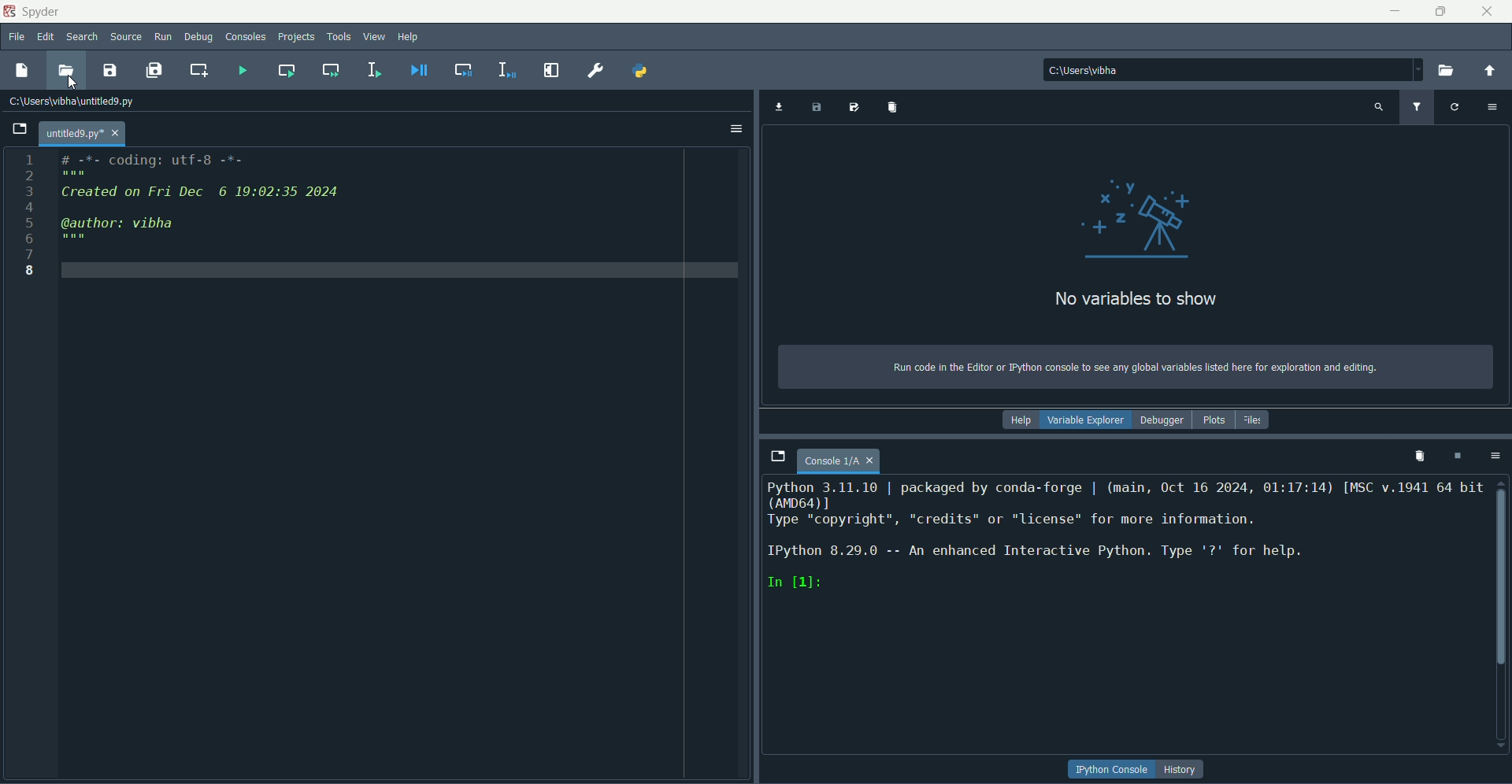 Image resolution: width=1512 pixels, height=784 pixels. I want to click on tools, so click(339, 37).